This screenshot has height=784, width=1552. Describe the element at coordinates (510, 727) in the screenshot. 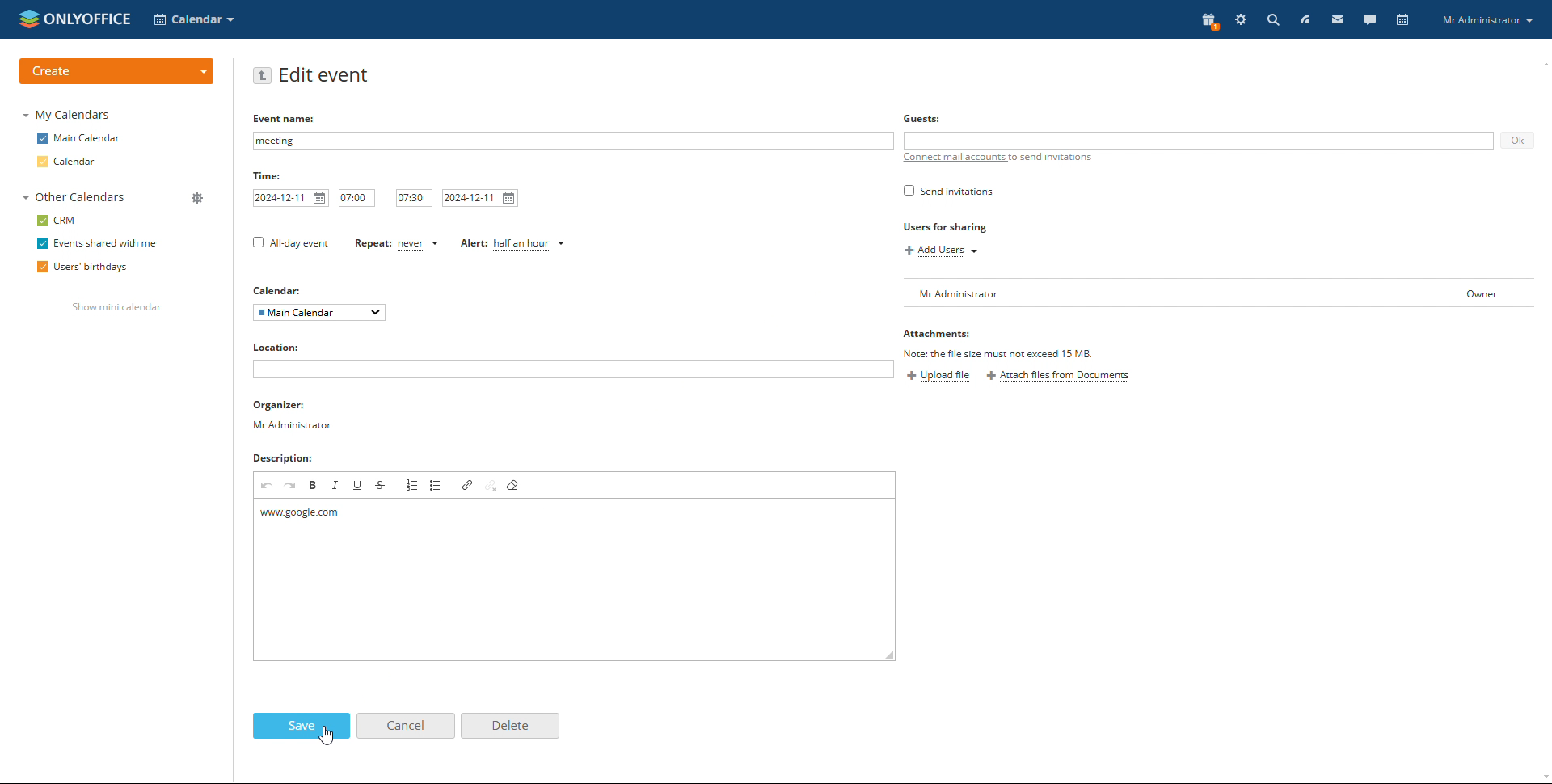

I see `delete` at that location.